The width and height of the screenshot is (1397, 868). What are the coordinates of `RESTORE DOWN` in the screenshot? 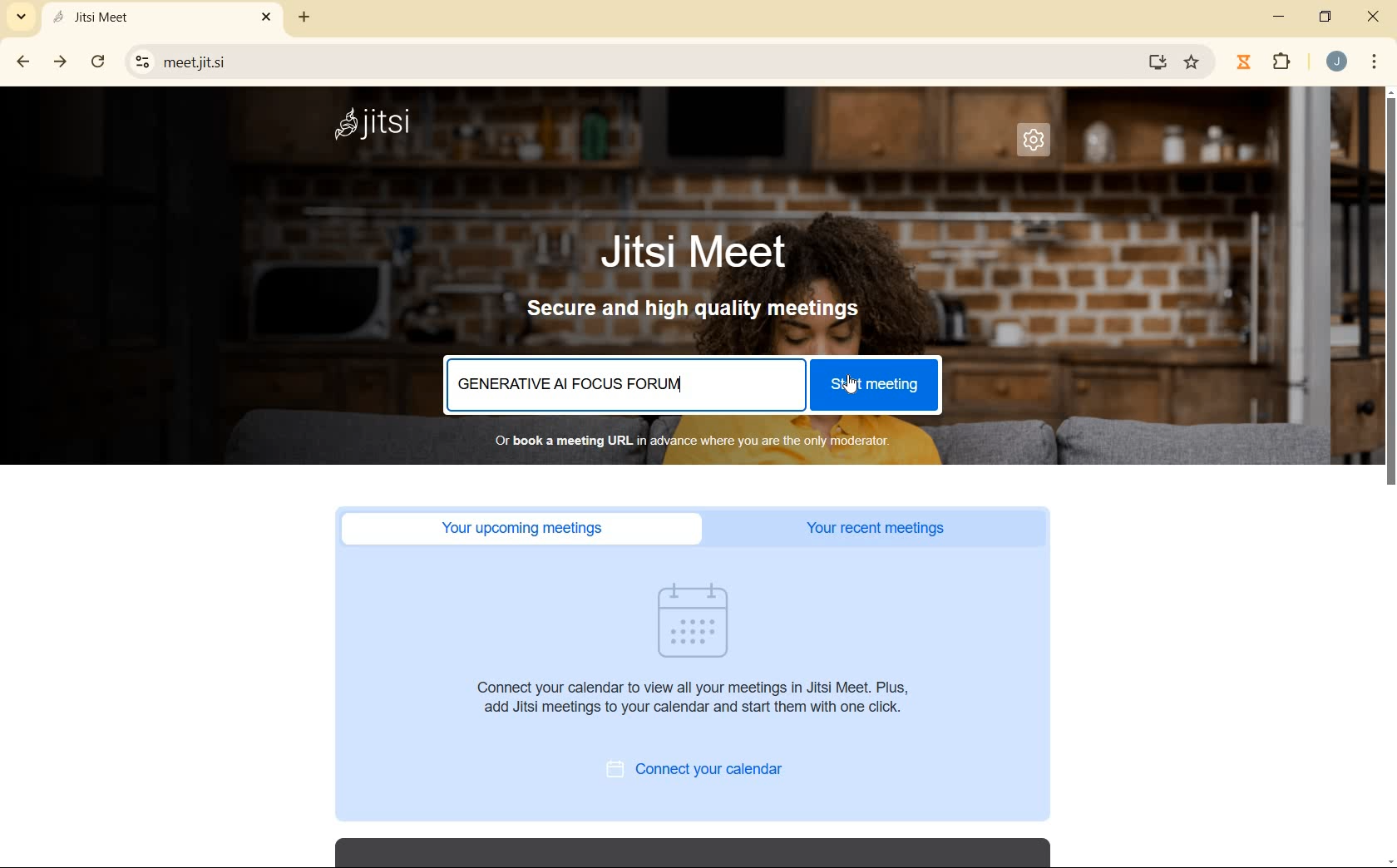 It's located at (1326, 21).